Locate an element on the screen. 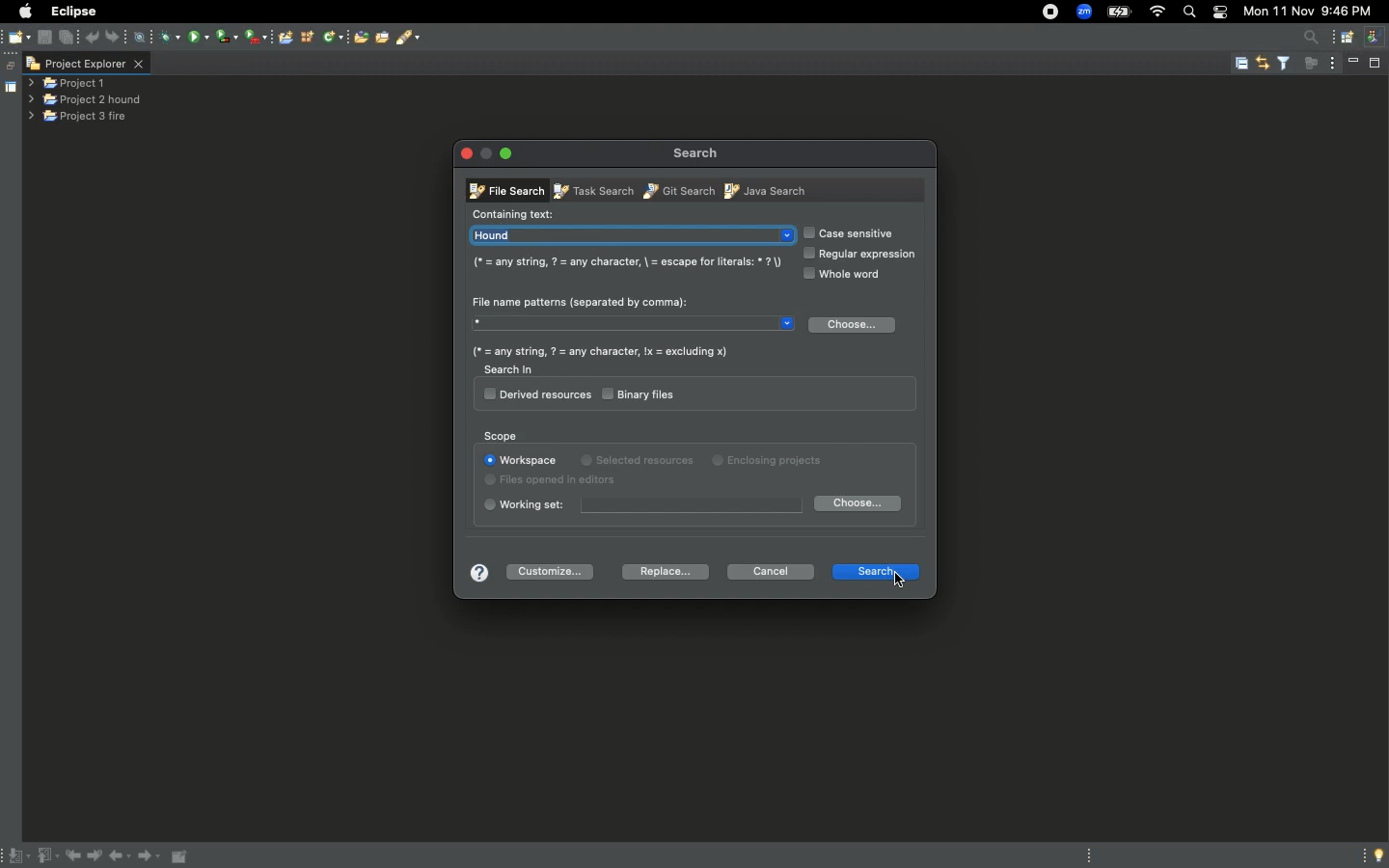 This screenshot has width=1389, height=868. Mon 11 Nov 9:45 PM is located at coordinates (1314, 11).